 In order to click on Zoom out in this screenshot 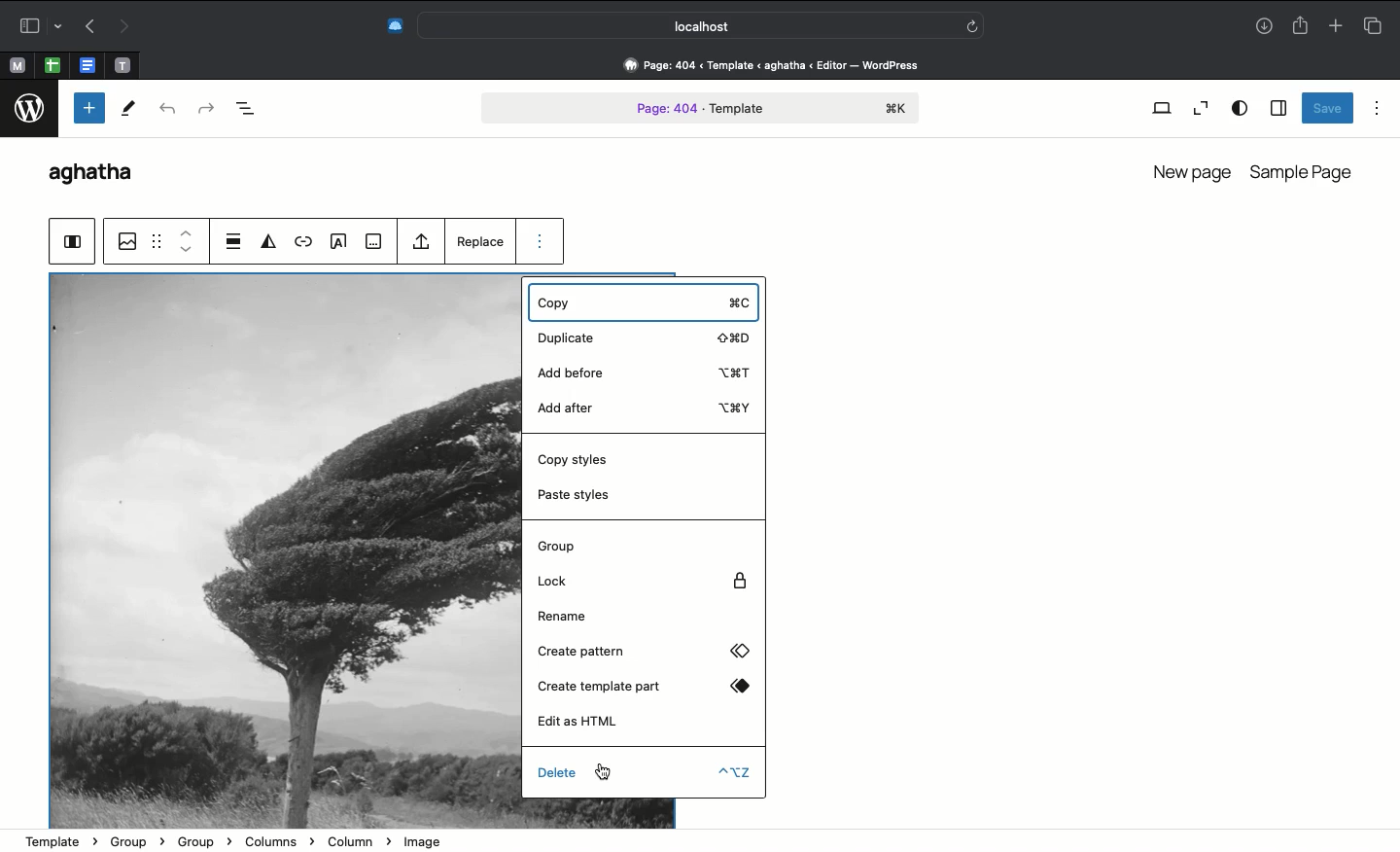, I will do `click(1198, 109)`.